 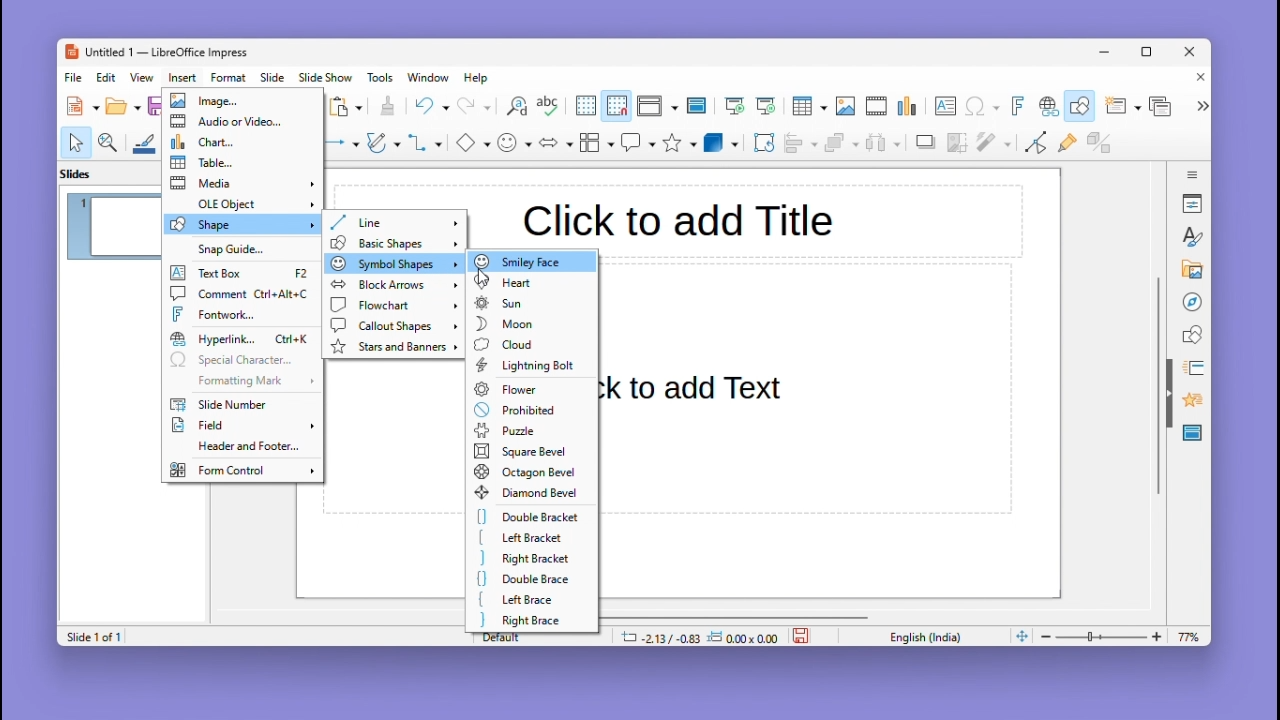 I want to click on Gallery, so click(x=1189, y=270).